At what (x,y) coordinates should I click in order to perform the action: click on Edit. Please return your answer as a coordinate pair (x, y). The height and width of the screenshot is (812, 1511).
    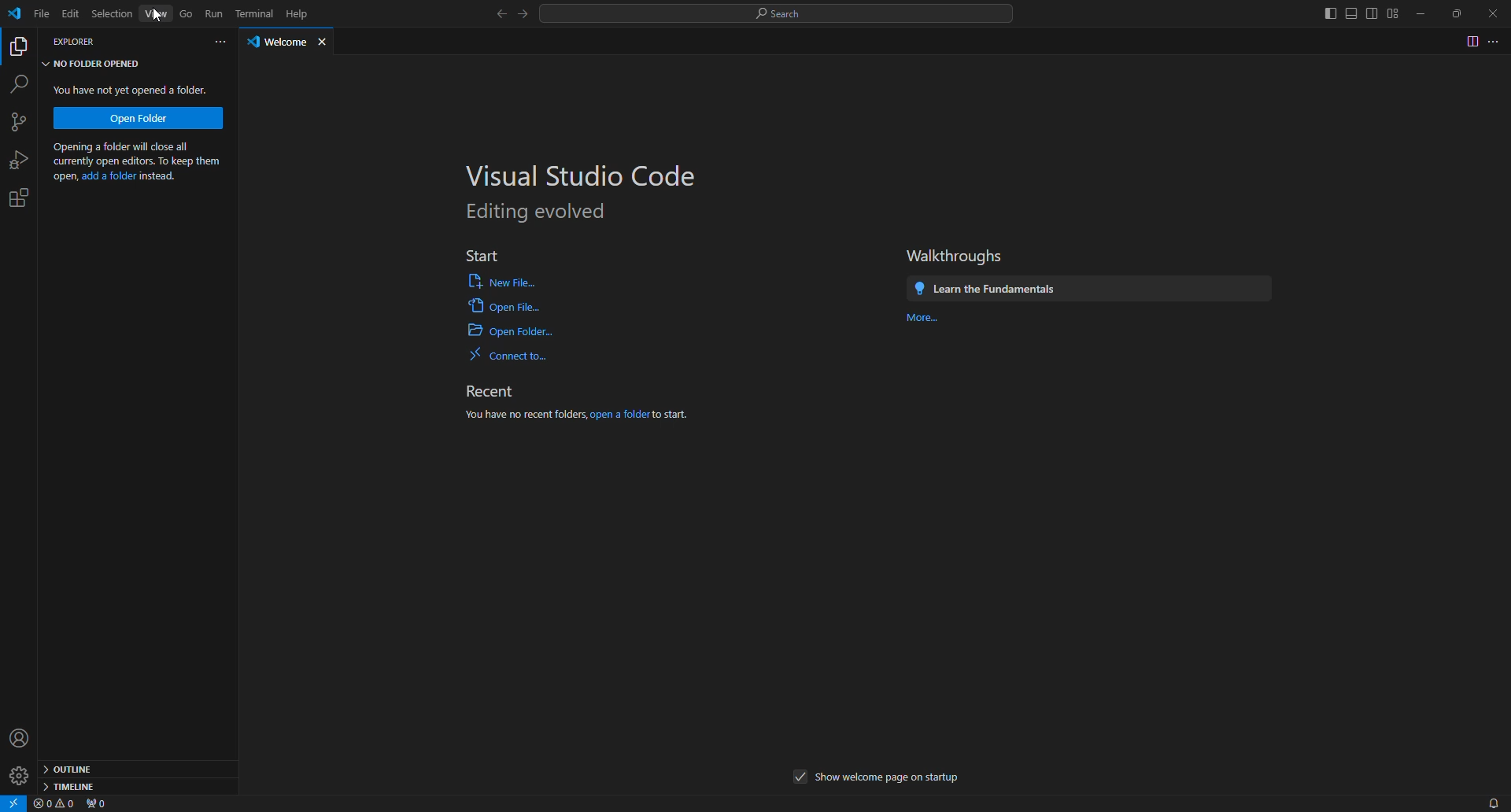
    Looking at the image, I should click on (72, 14).